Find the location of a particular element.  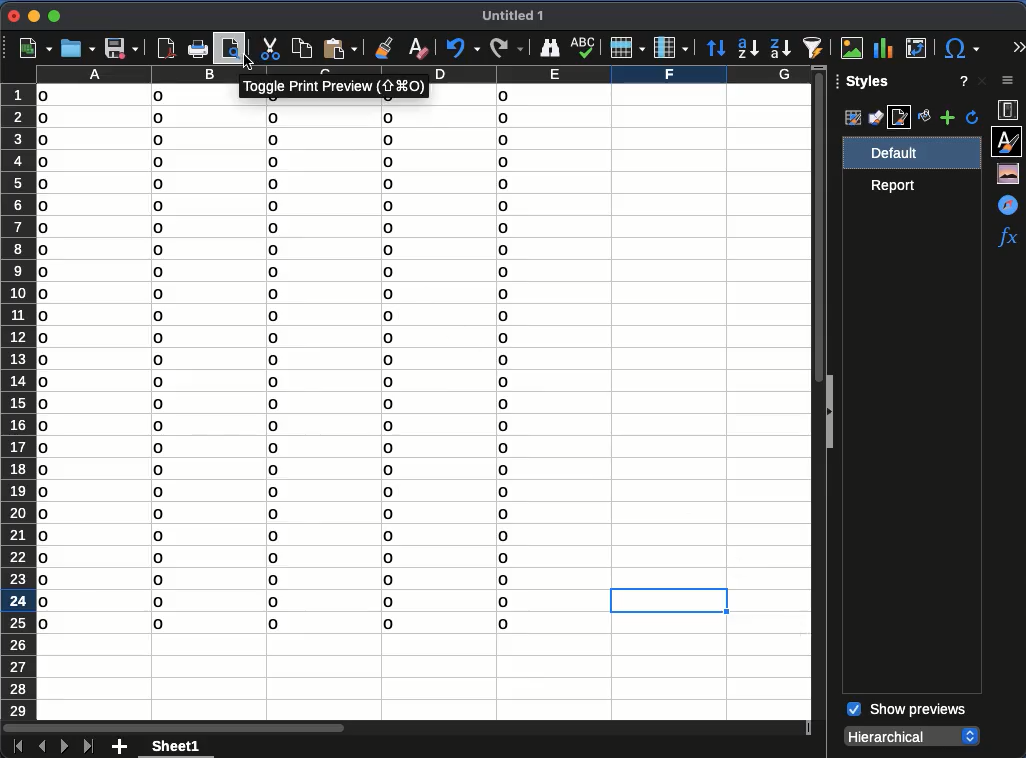

previous sheet is located at coordinates (40, 747).